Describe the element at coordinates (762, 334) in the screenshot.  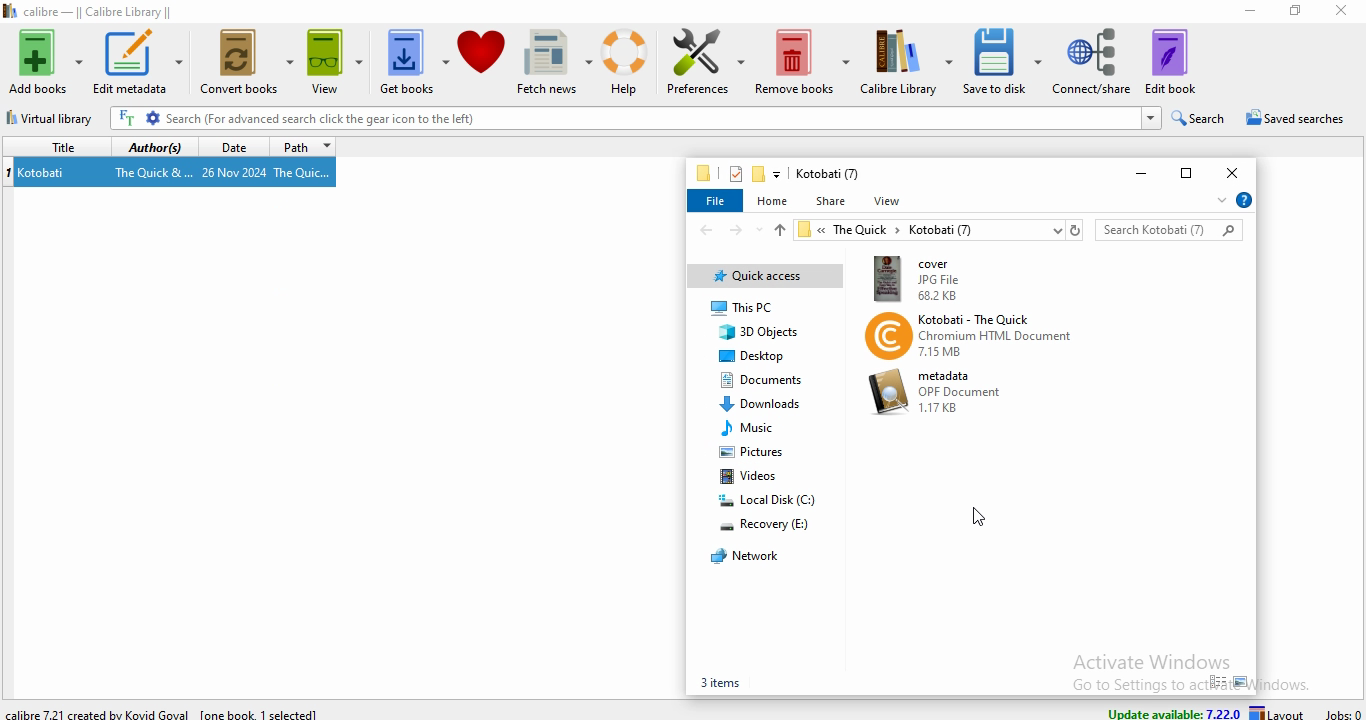
I see `3D Objects` at that location.